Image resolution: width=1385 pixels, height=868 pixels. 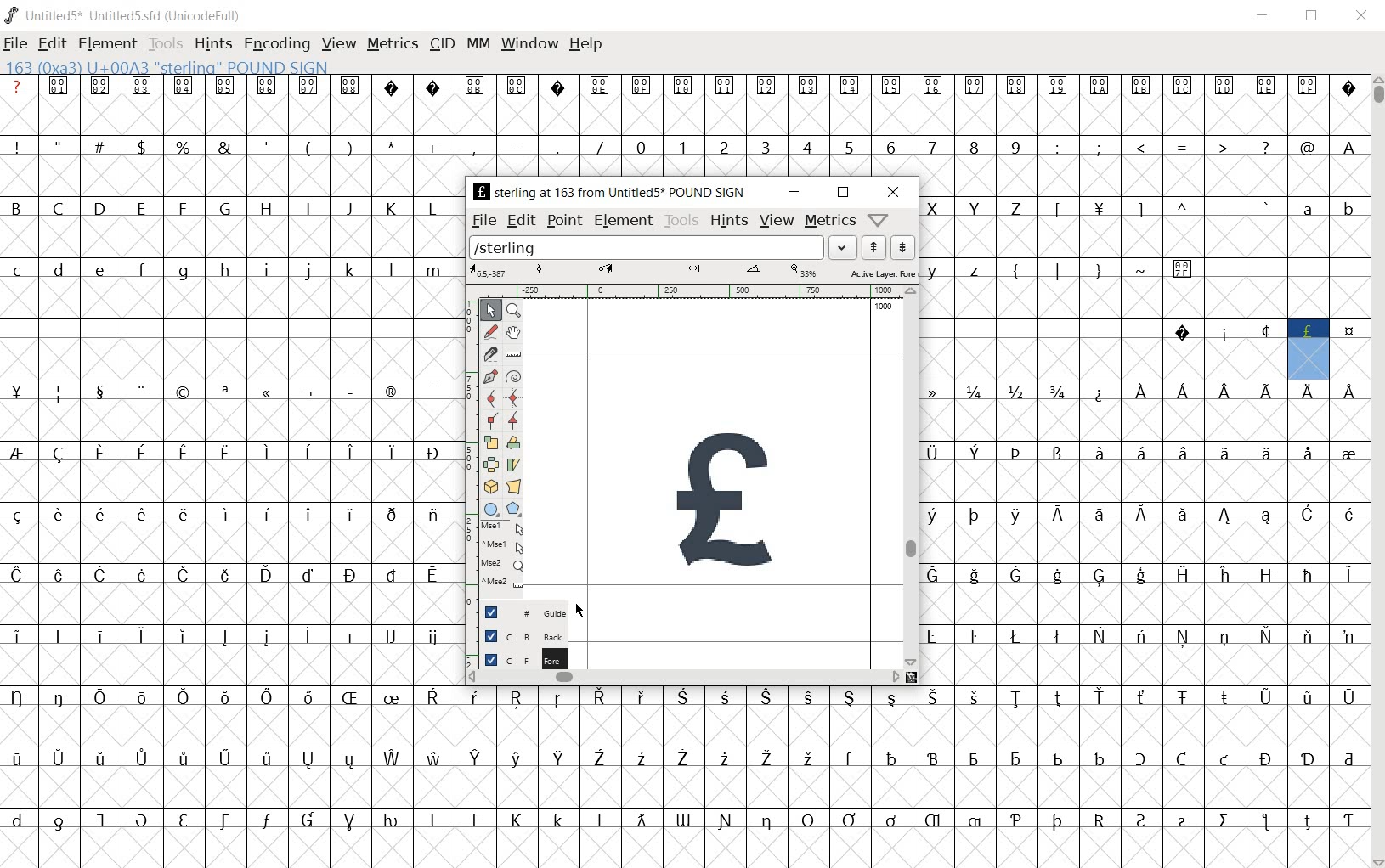 I want to click on Symbol, so click(x=140, y=696).